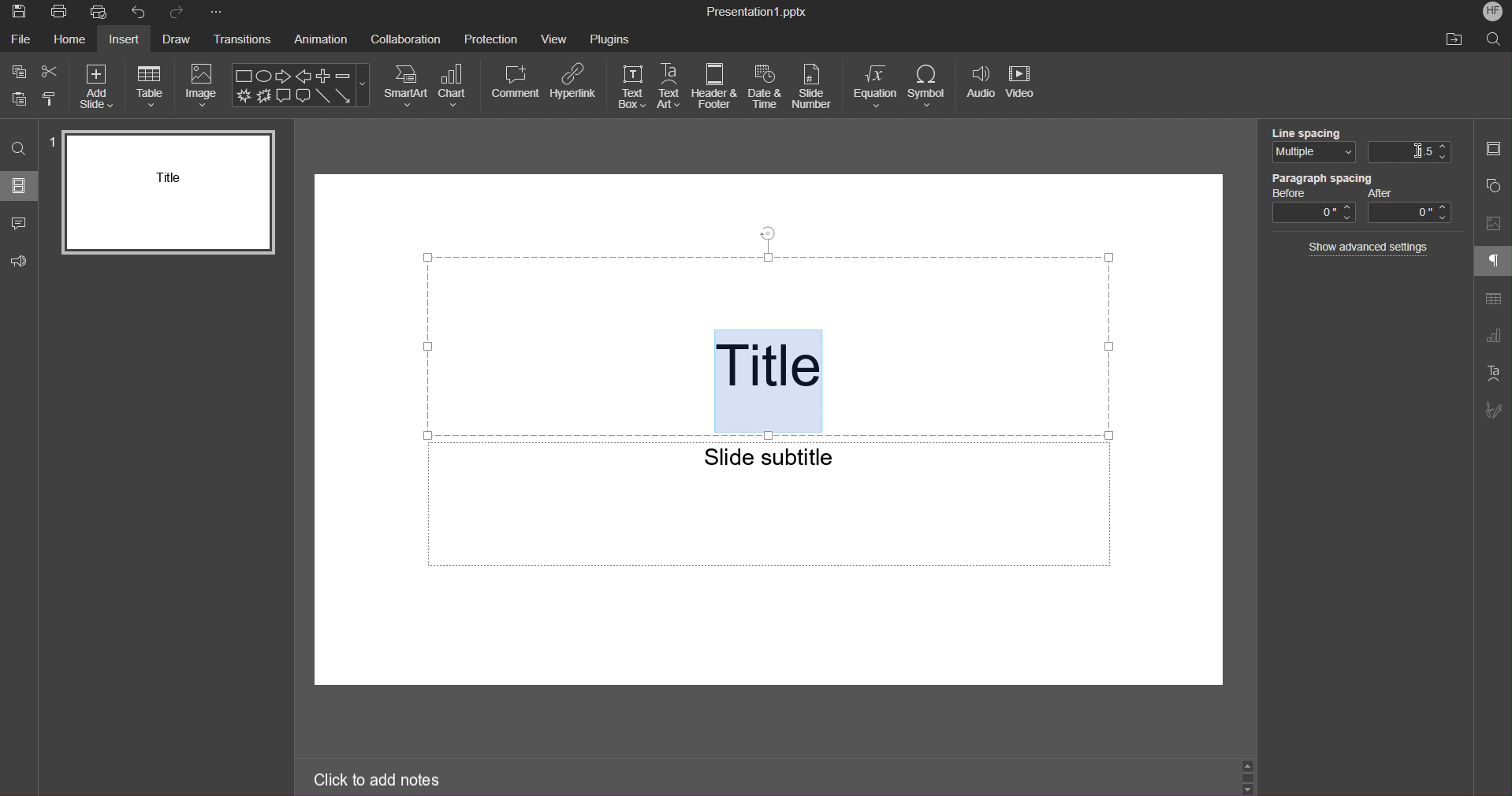 The height and width of the screenshot is (796, 1512). What do you see at coordinates (554, 41) in the screenshot?
I see `View` at bounding box center [554, 41].